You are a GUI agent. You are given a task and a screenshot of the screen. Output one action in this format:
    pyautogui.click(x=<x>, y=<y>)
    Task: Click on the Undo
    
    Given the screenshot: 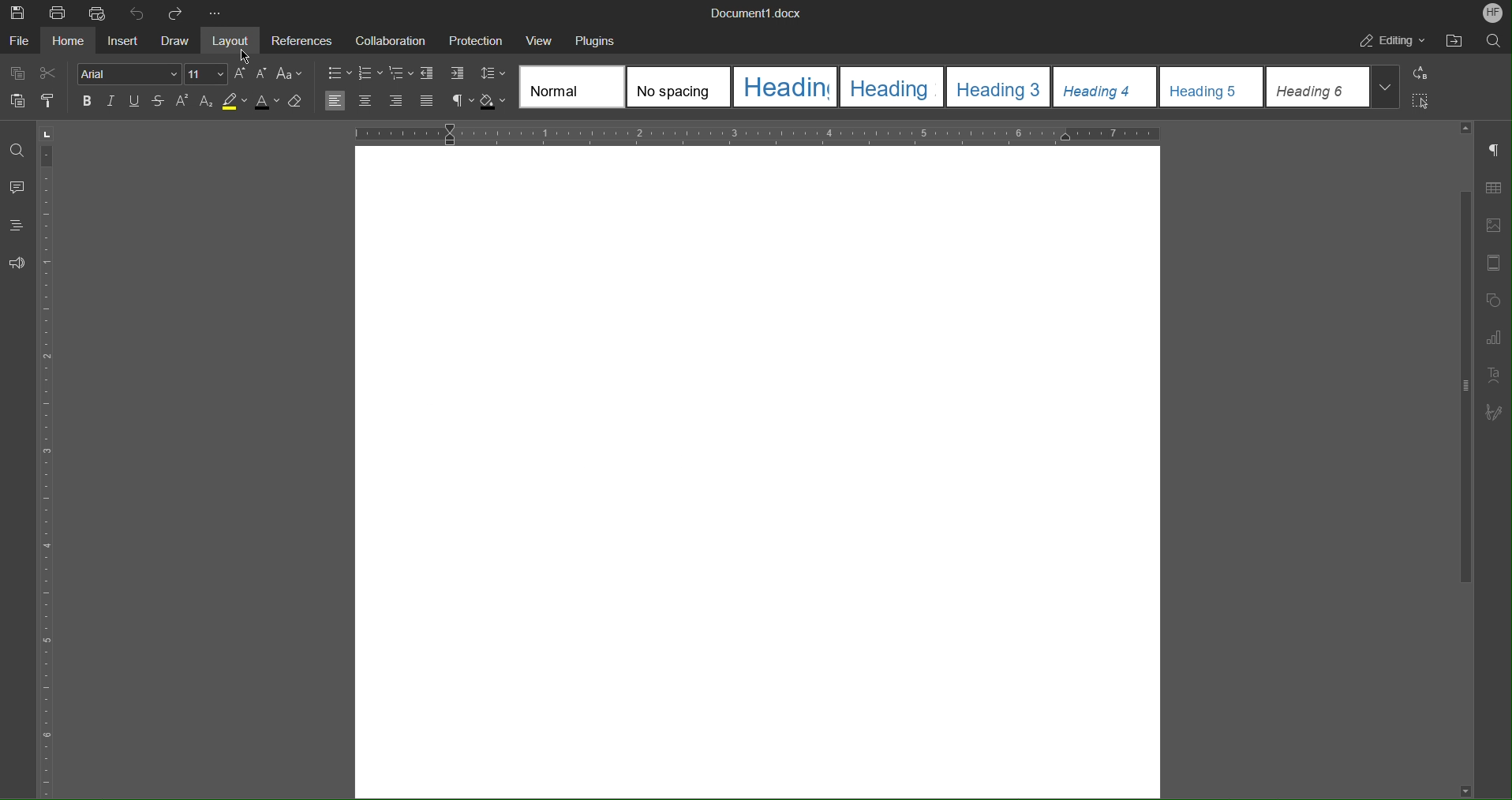 What is the action you would take?
    pyautogui.click(x=137, y=13)
    